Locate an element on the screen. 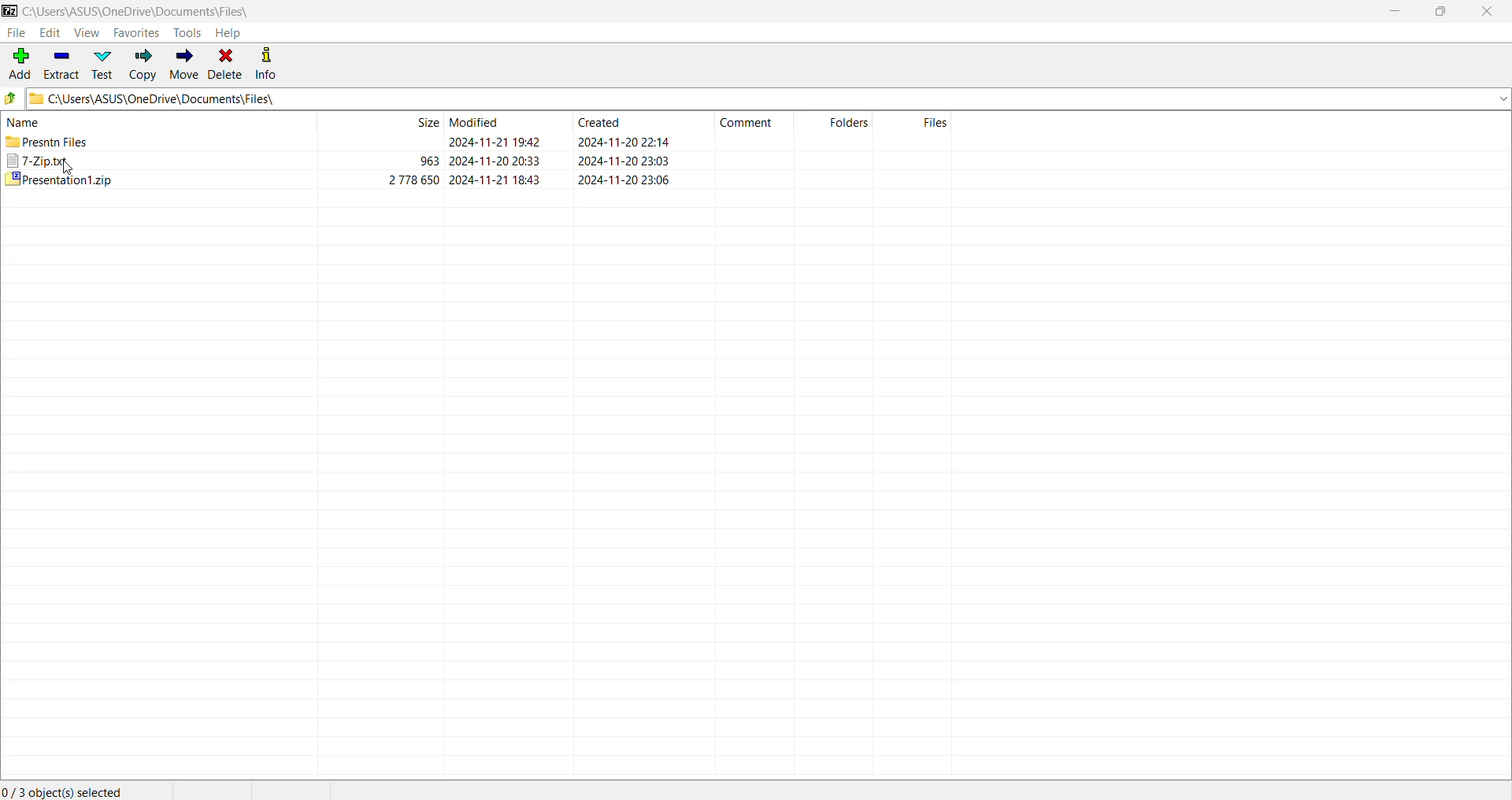 This screenshot has width=1512, height=800. Current Folder Path is located at coordinates (768, 99).